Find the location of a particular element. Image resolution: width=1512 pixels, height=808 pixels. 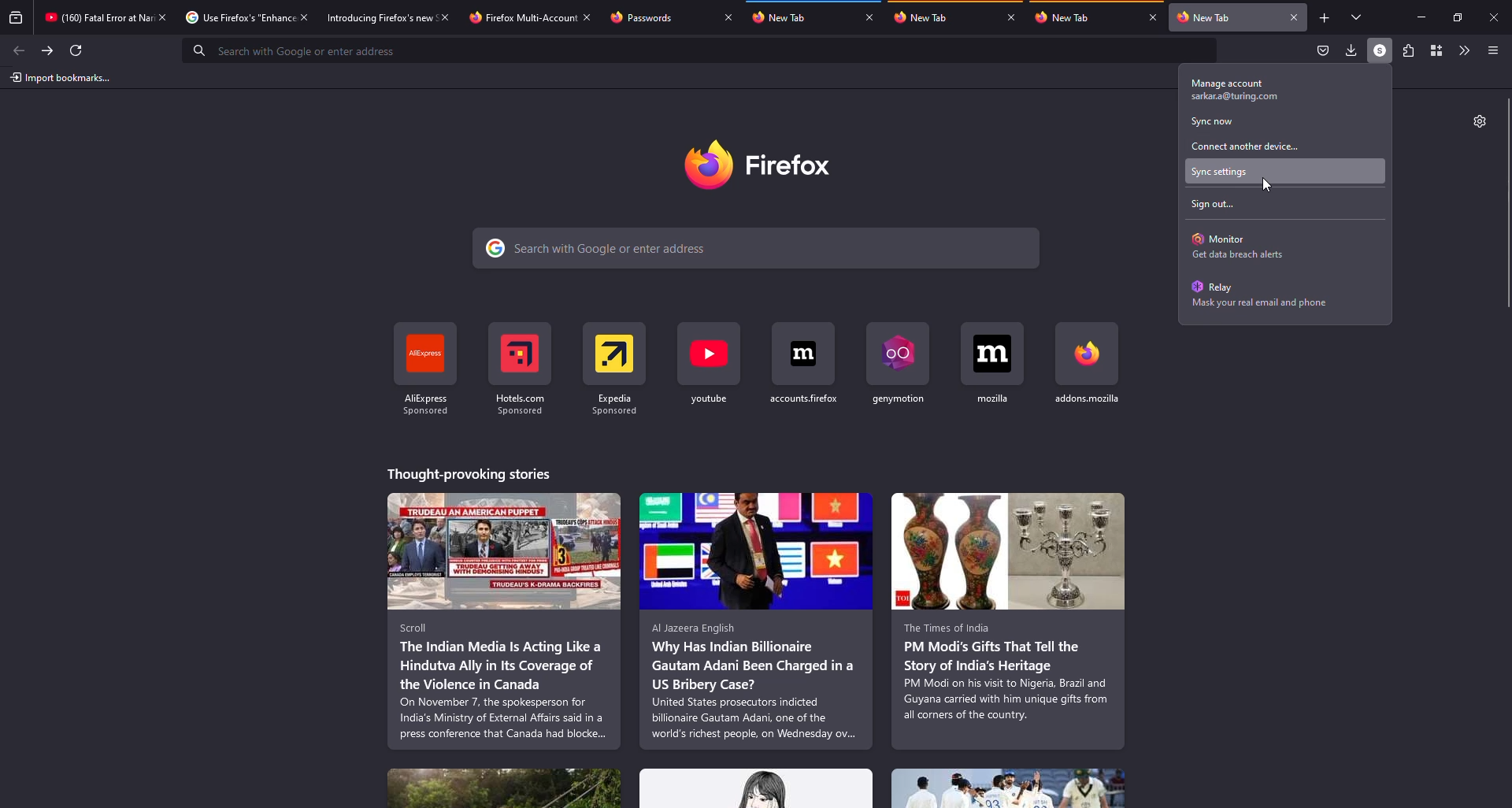

tab is located at coordinates (231, 17).